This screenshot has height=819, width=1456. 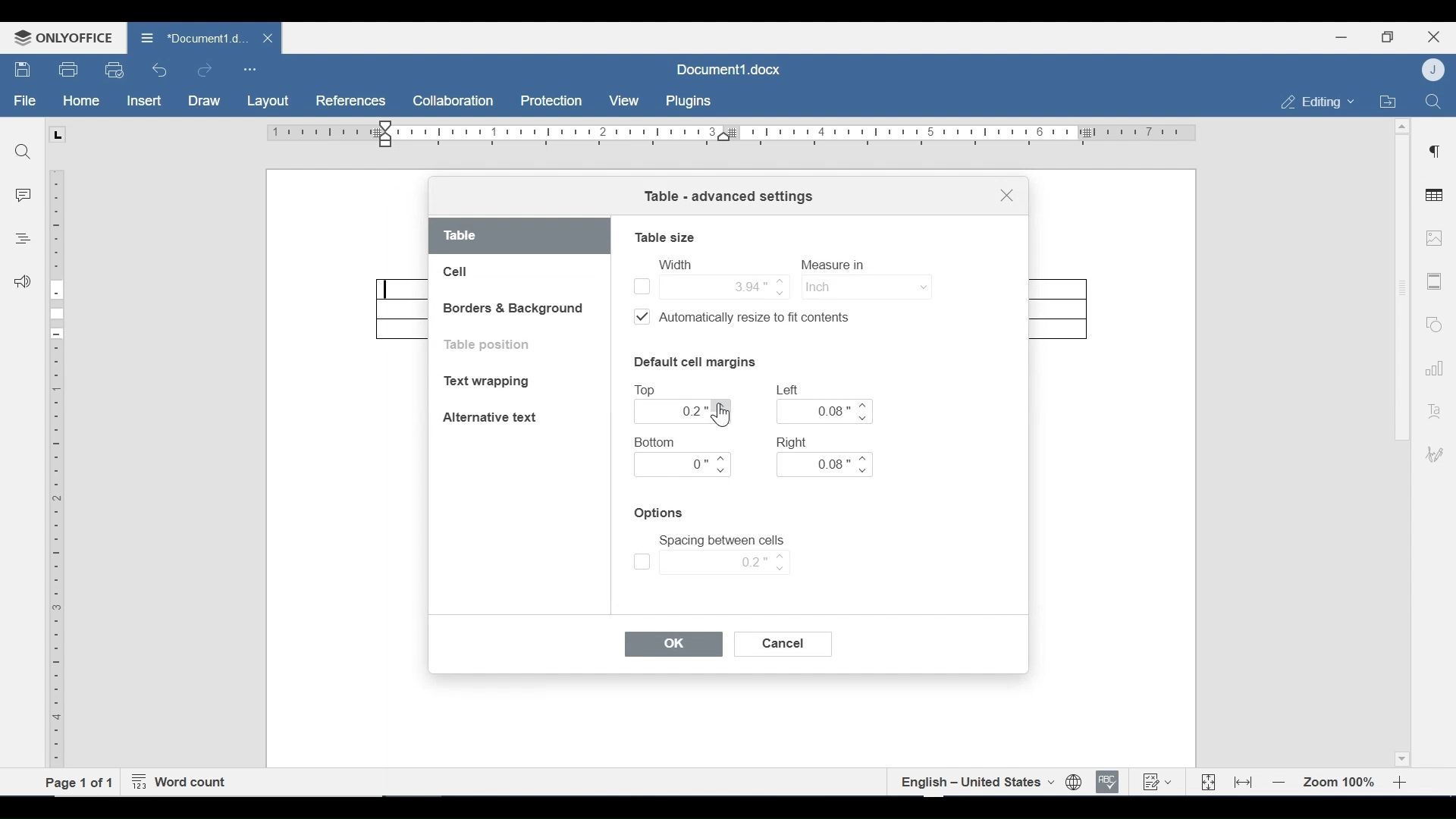 What do you see at coordinates (826, 411) in the screenshot?
I see `0.08` at bounding box center [826, 411].